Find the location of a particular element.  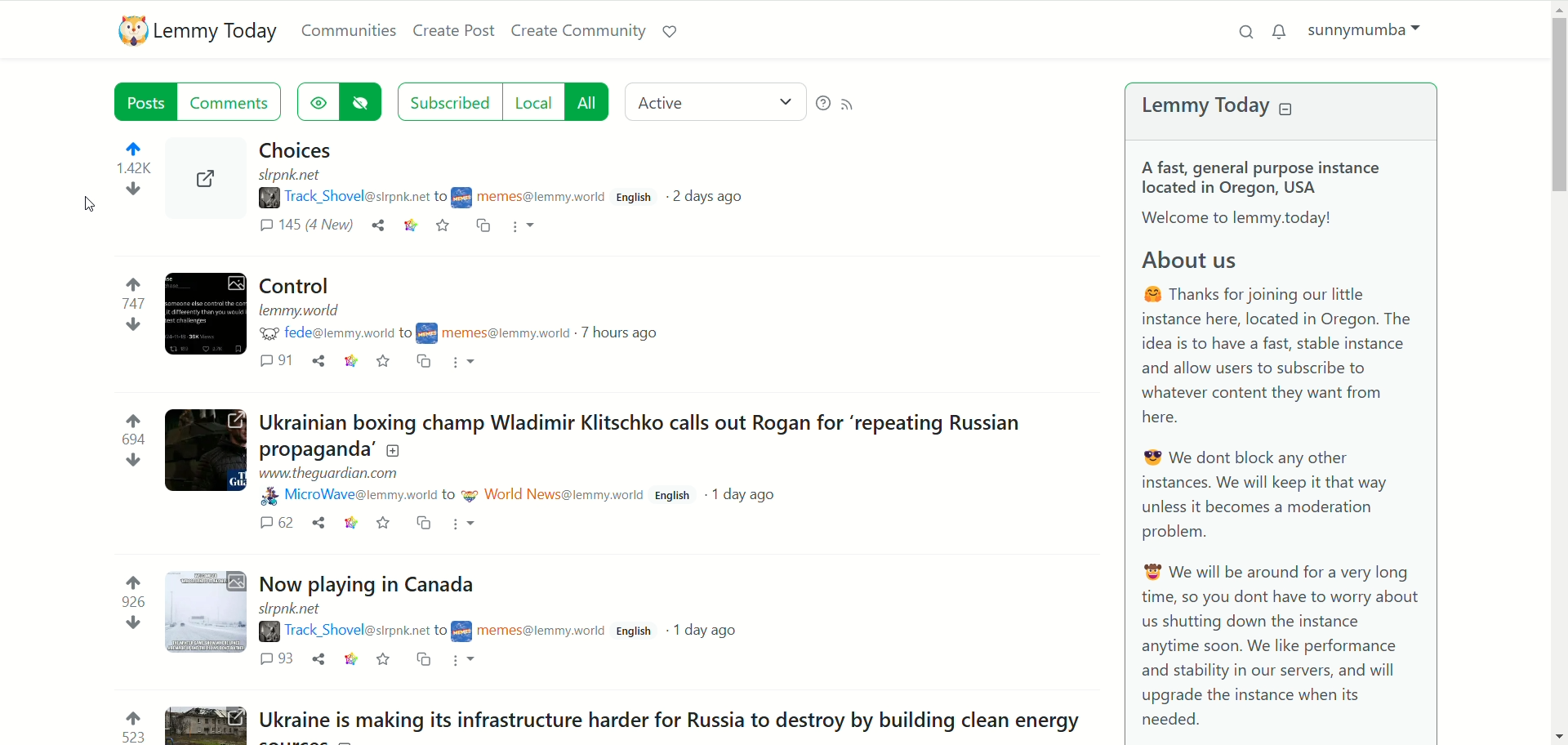

poster image is located at coordinates (268, 633).